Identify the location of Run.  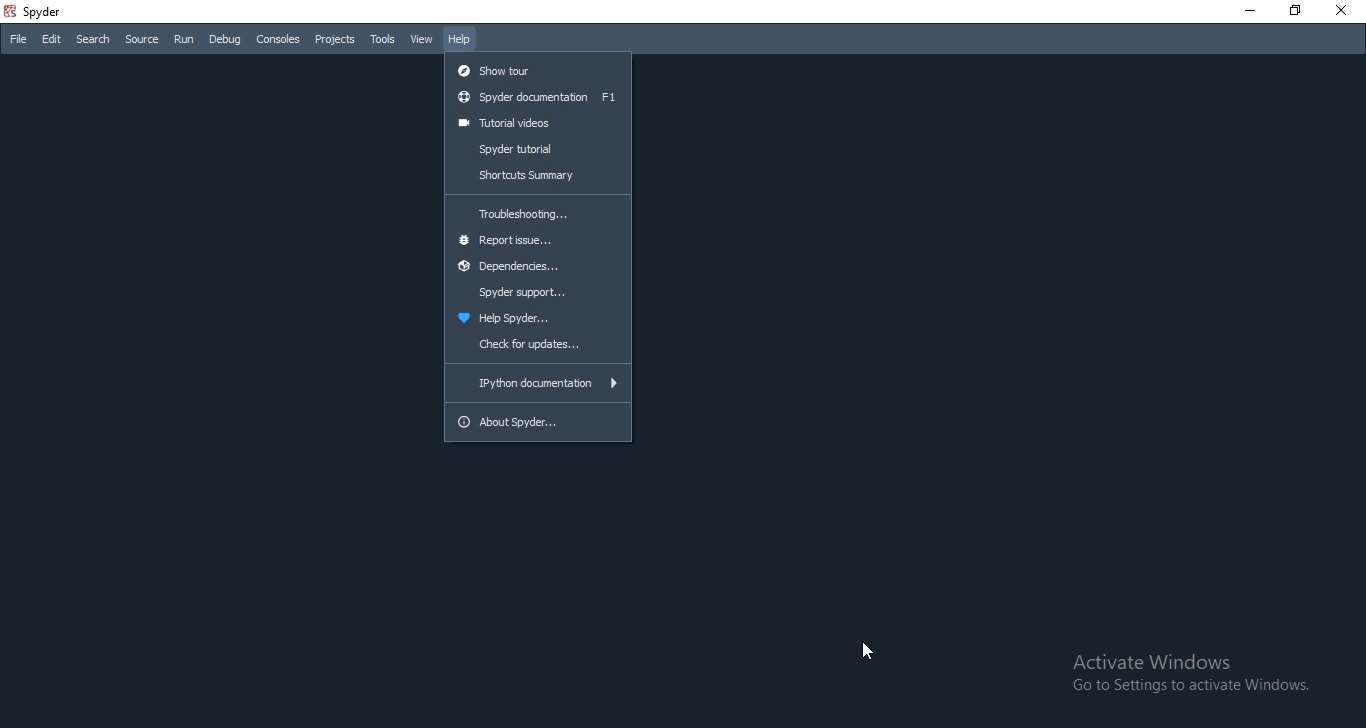
(182, 39).